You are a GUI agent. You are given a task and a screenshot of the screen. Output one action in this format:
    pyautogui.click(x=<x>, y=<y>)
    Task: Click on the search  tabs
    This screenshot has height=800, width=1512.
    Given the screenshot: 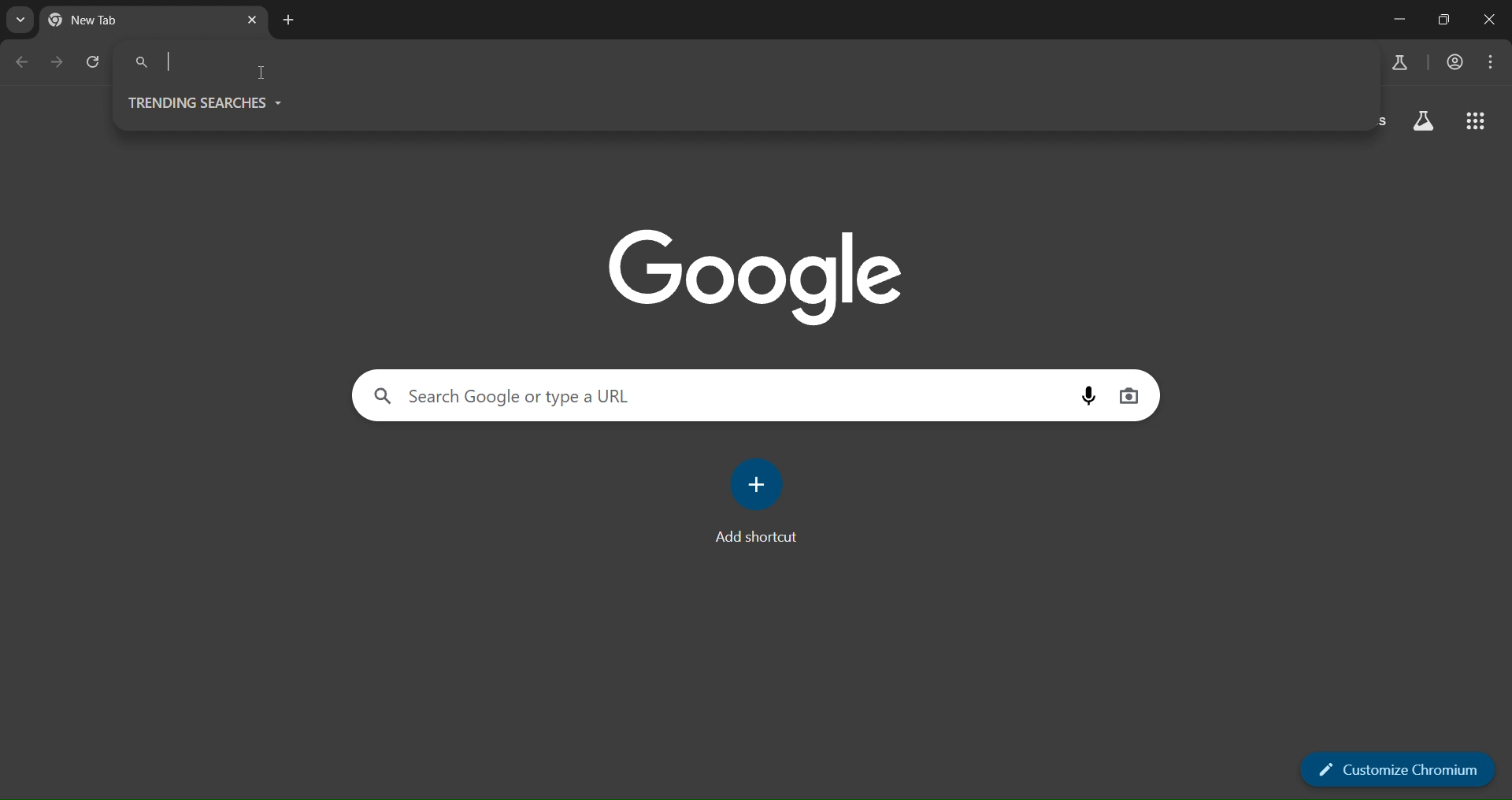 What is the action you would take?
    pyautogui.click(x=20, y=20)
    